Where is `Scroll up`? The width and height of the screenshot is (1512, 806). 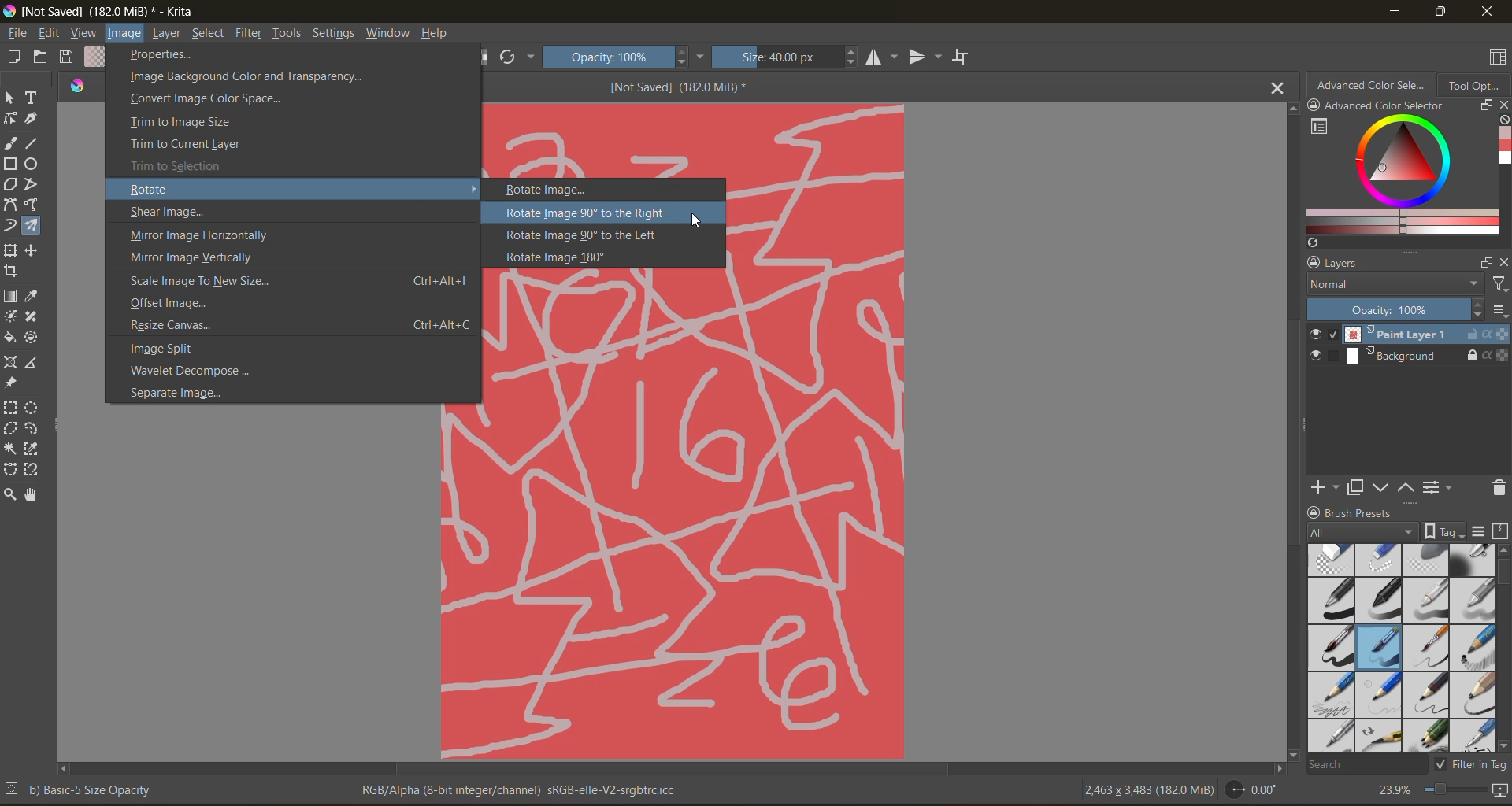
Scroll up is located at coordinates (1290, 109).